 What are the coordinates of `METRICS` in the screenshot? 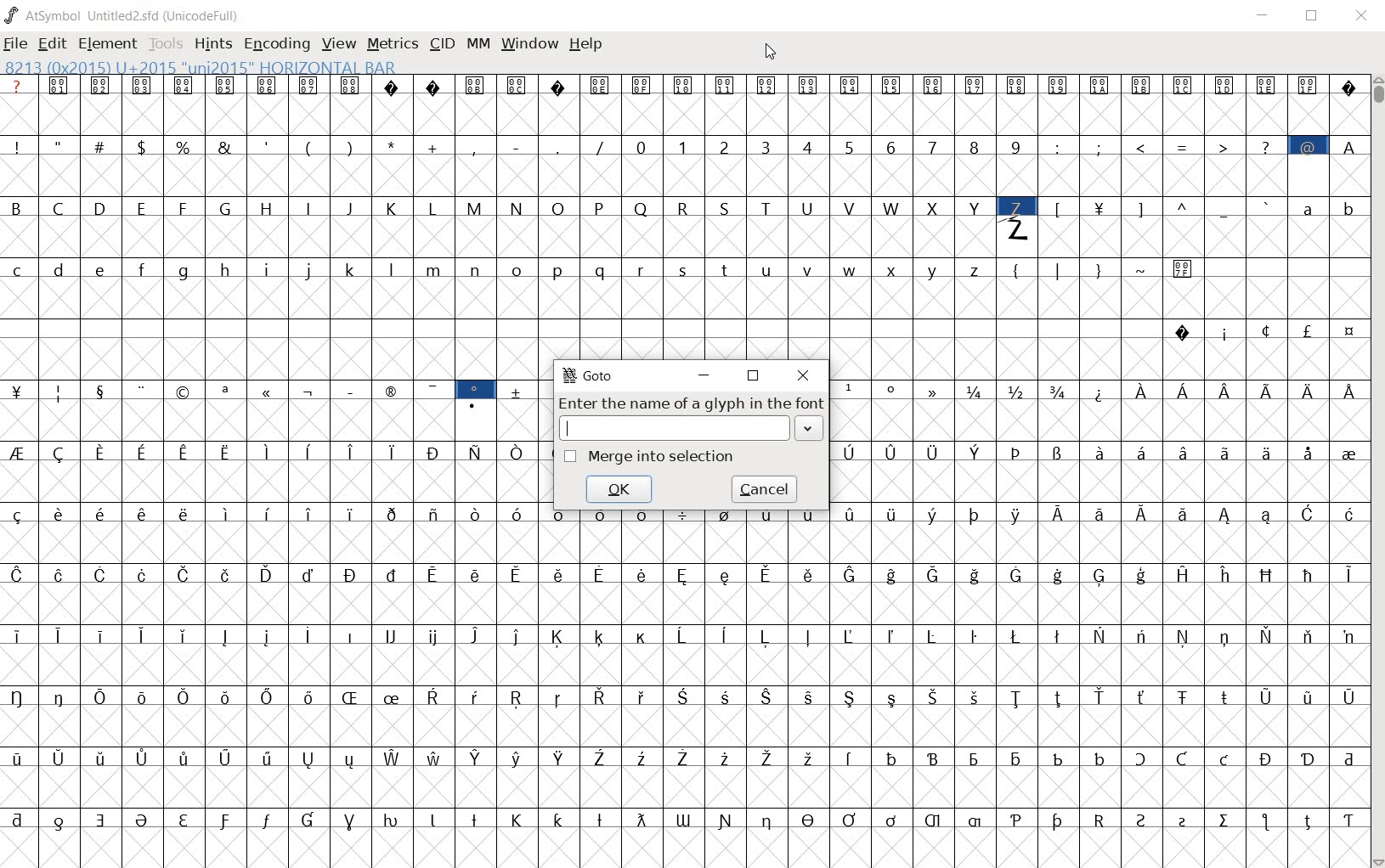 It's located at (395, 45).